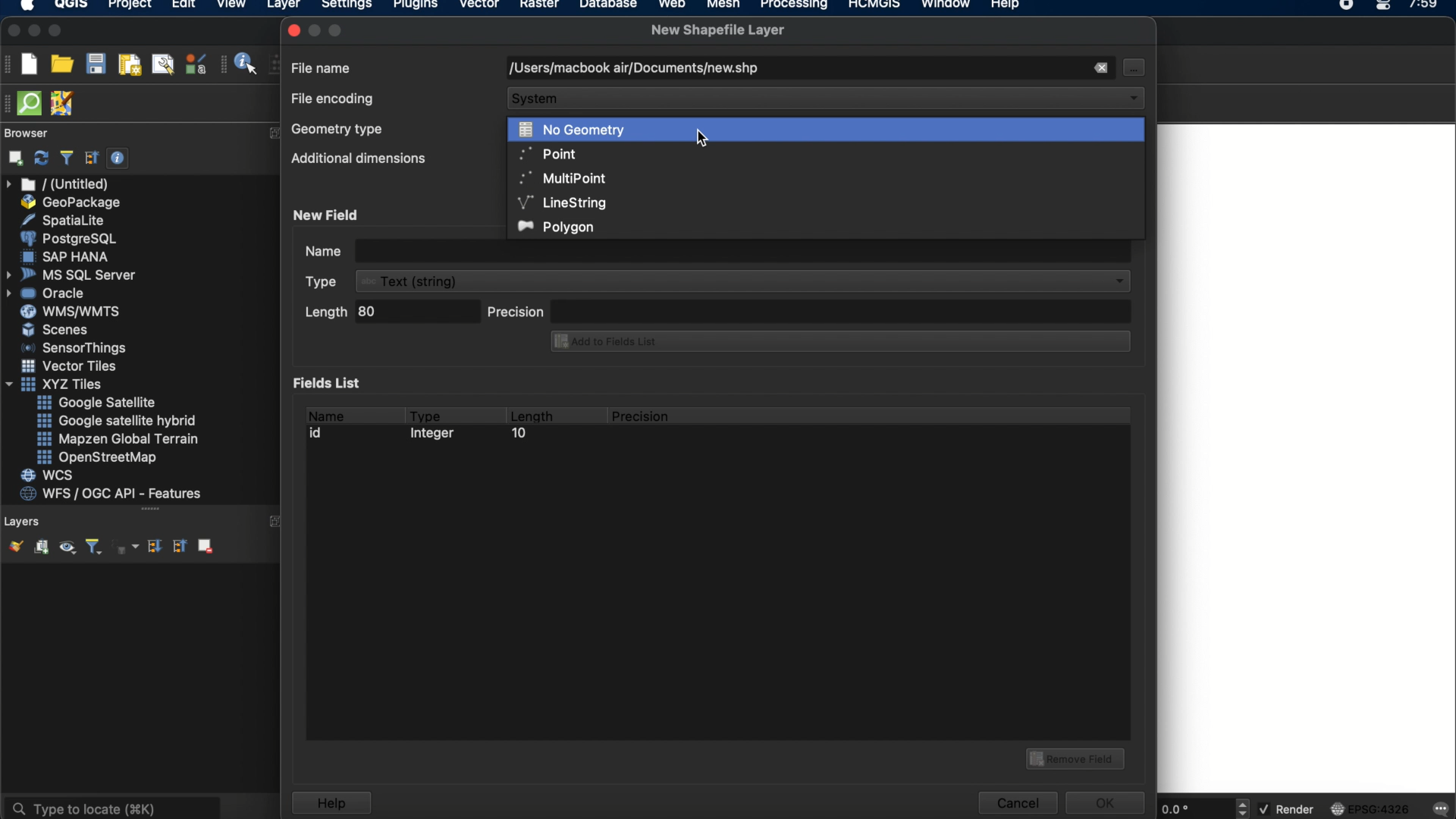  What do you see at coordinates (538, 6) in the screenshot?
I see `raster` at bounding box center [538, 6].